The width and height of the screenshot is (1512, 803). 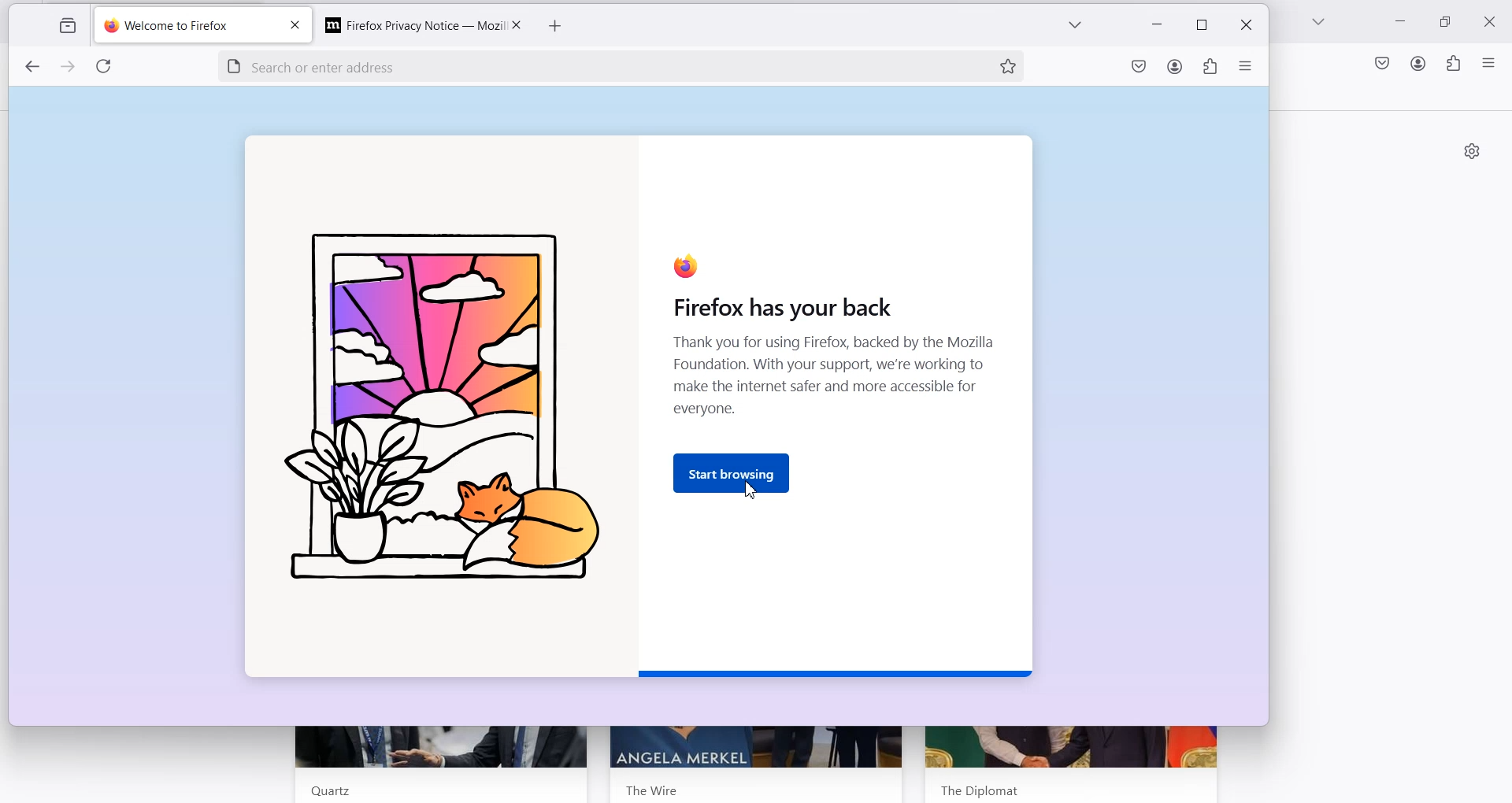 I want to click on Bookmark this page, so click(x=1007, y=65).